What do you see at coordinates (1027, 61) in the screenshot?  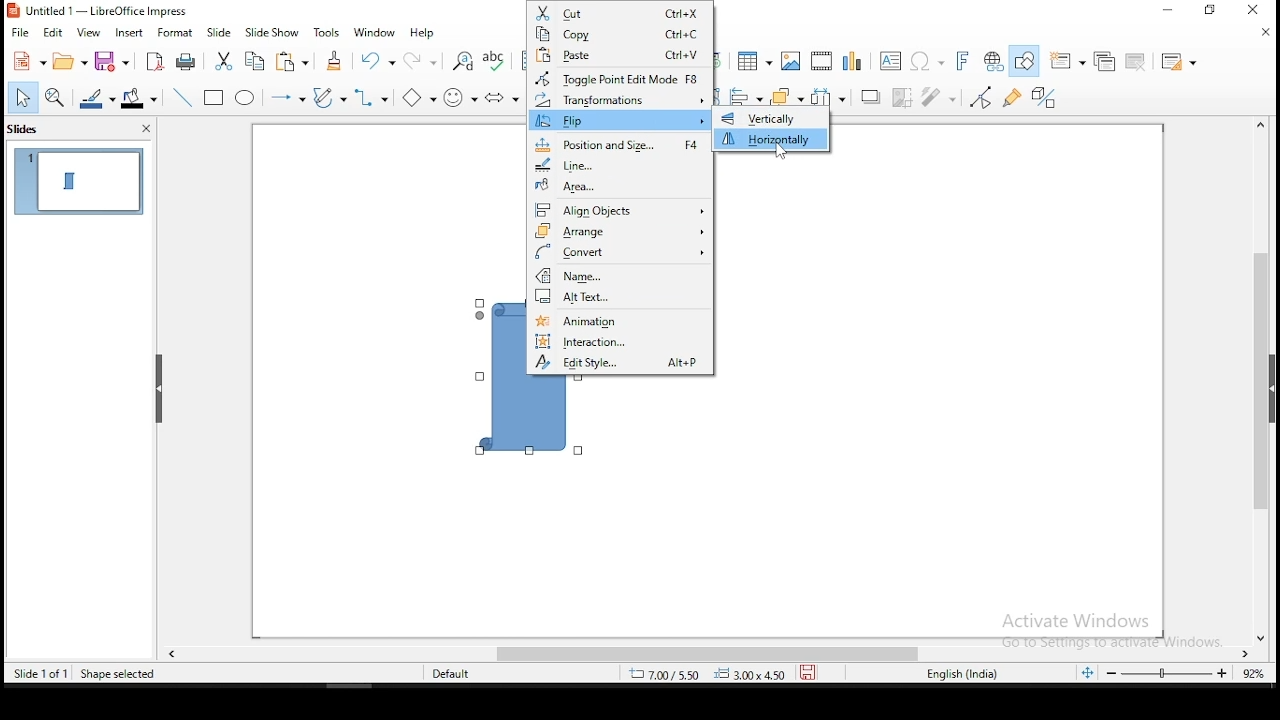 I see `show draw functions` at bounding box center [1027, 61].